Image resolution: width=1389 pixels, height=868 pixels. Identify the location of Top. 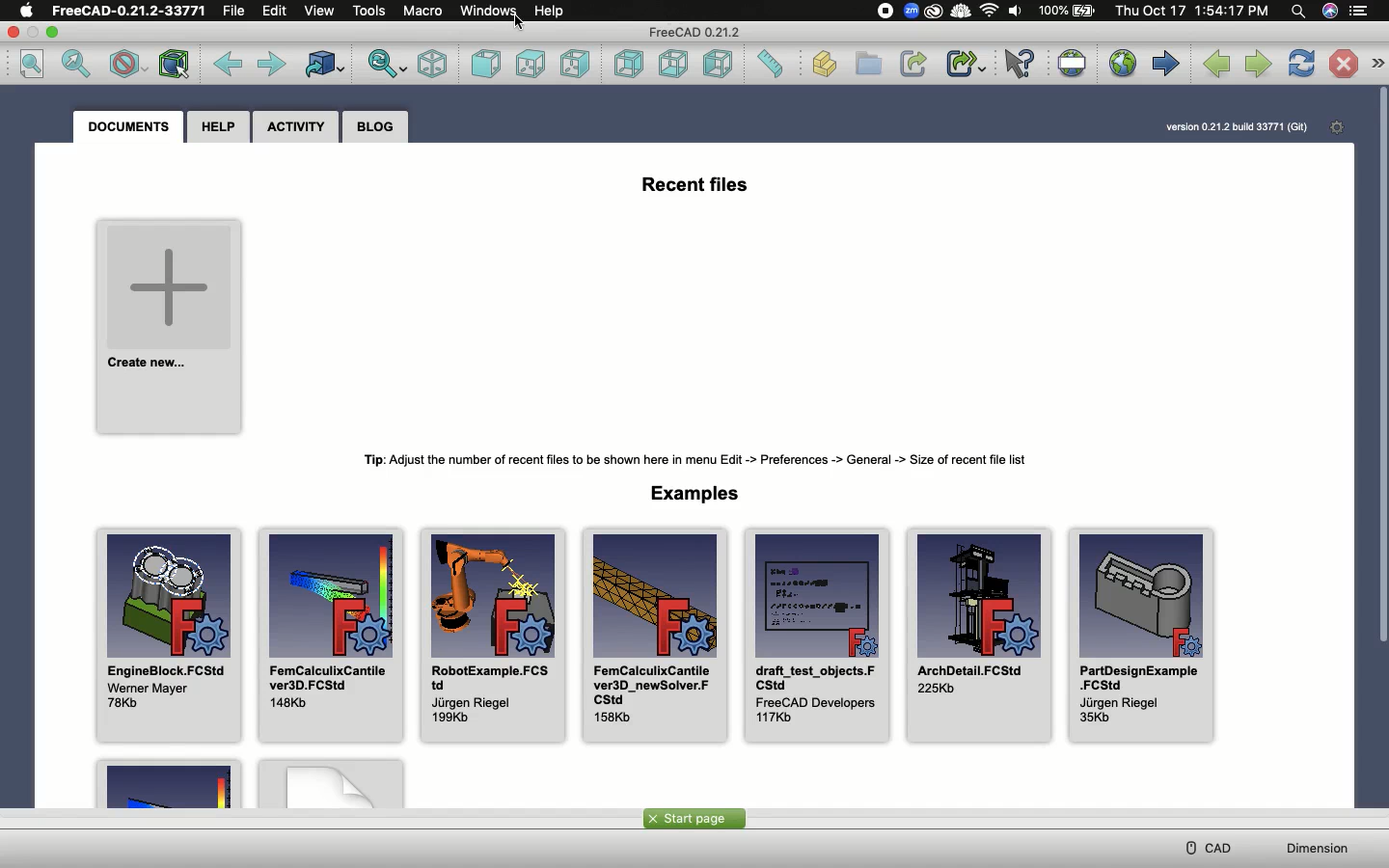
(531, 64).